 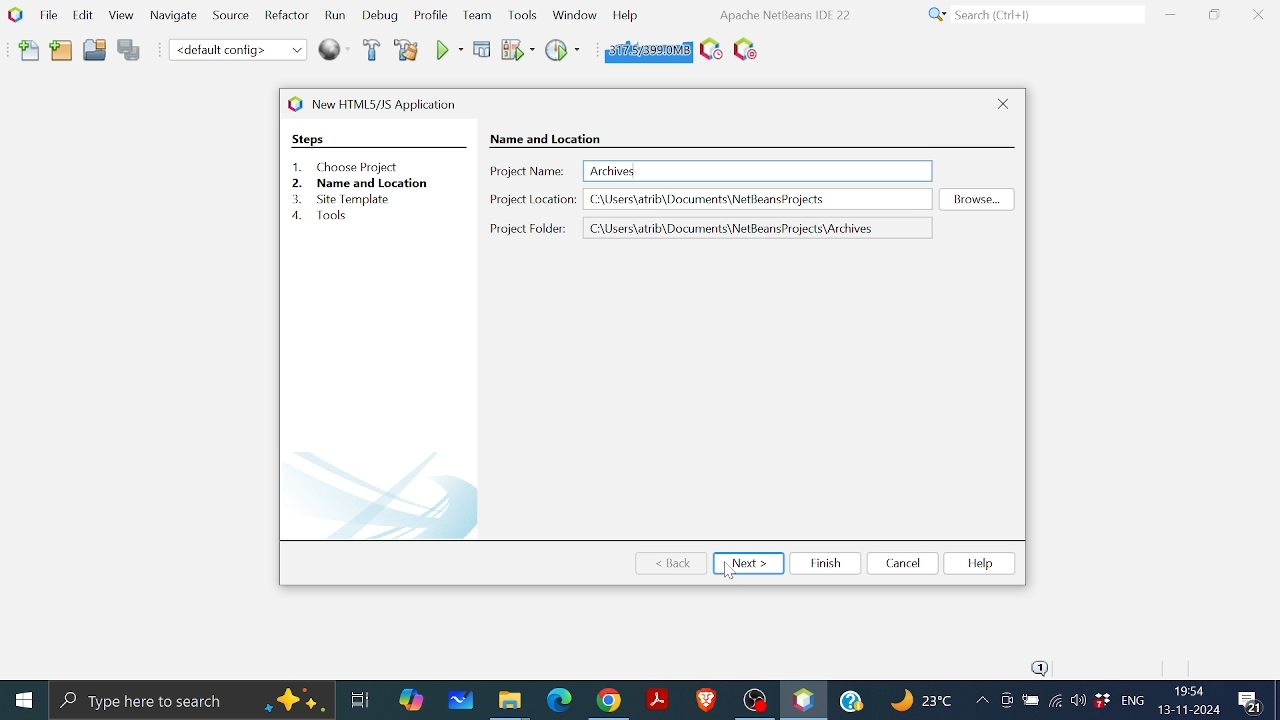 What do you see at coordinates (517, 50) in the screenshot?
I see `Run Project` at bounding box center [517, 50].